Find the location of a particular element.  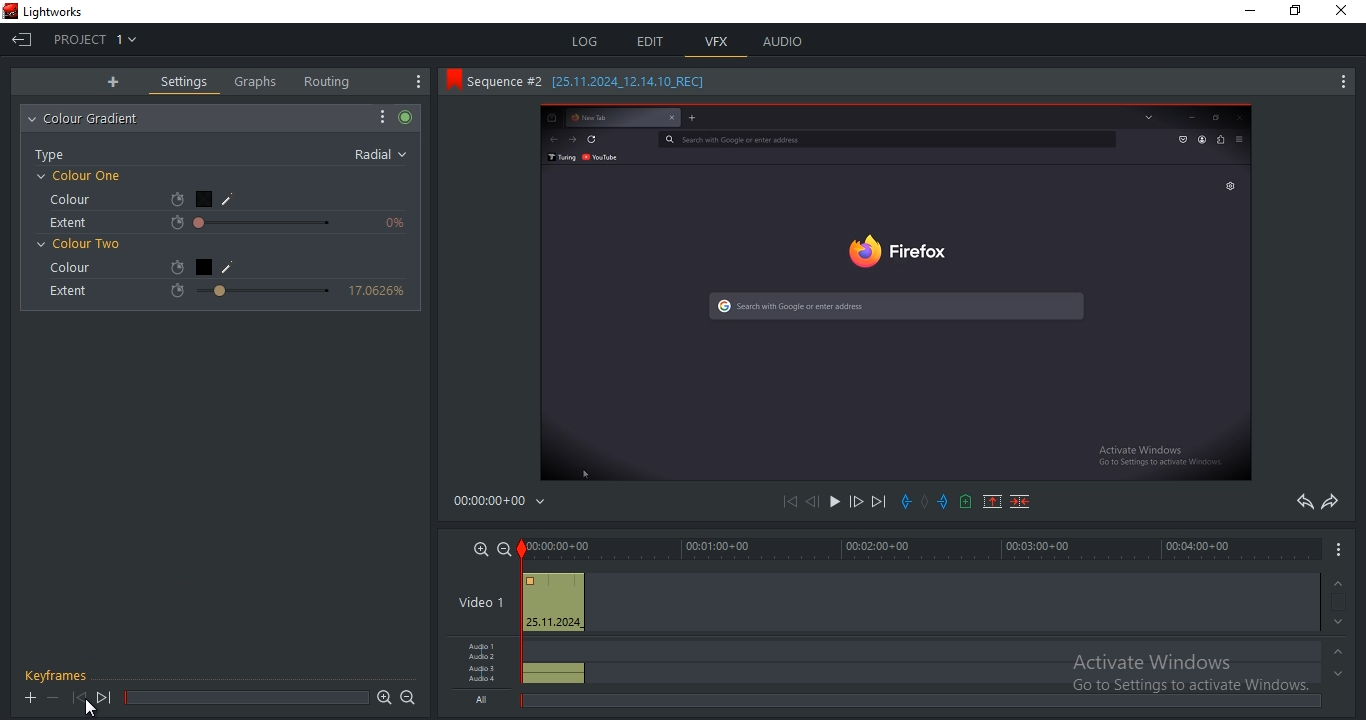

greyed out down arrow is located at coordinates (1339, 680).